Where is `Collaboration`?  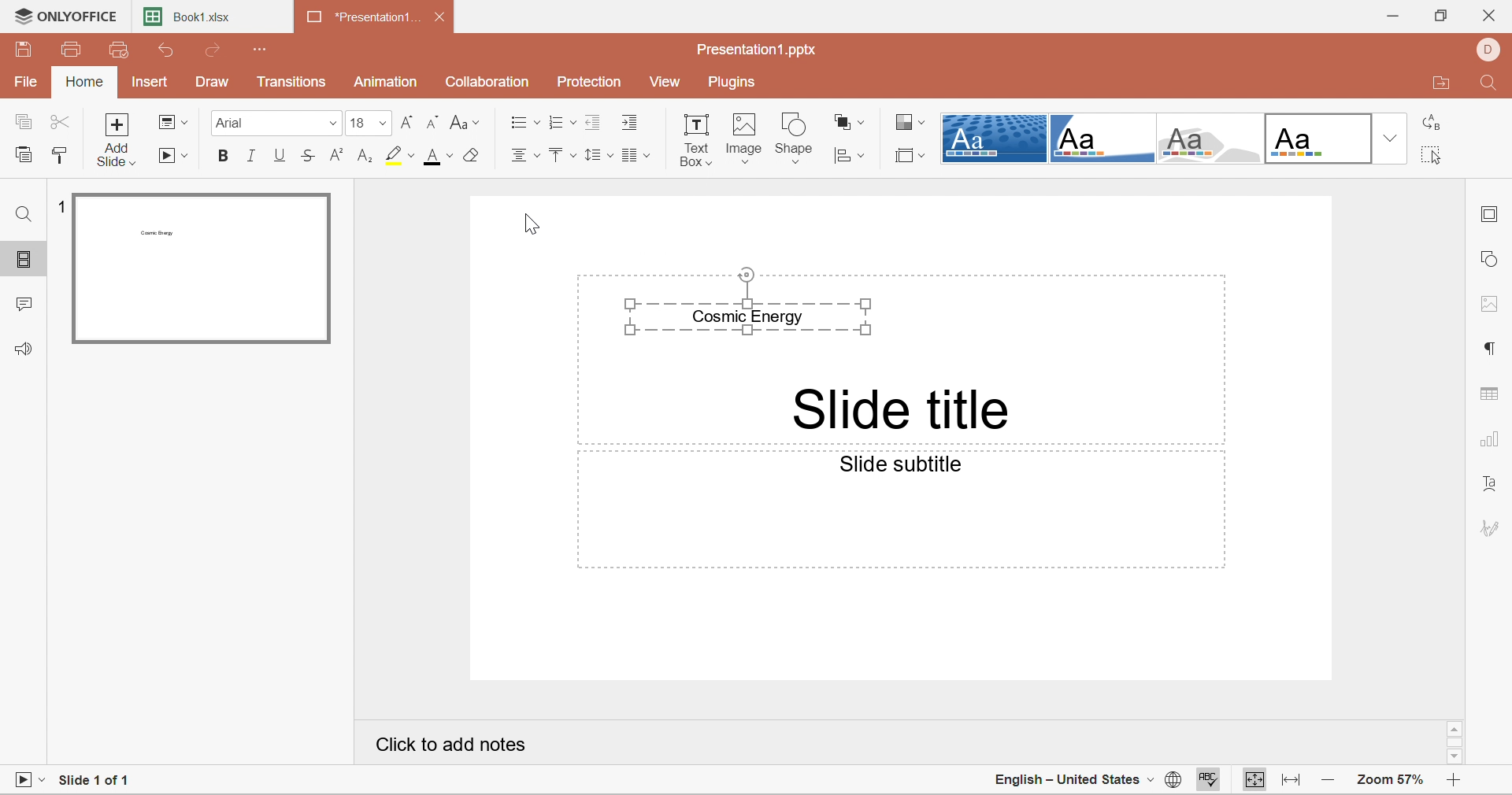 Collaboration is located at coordinates (489, 83).